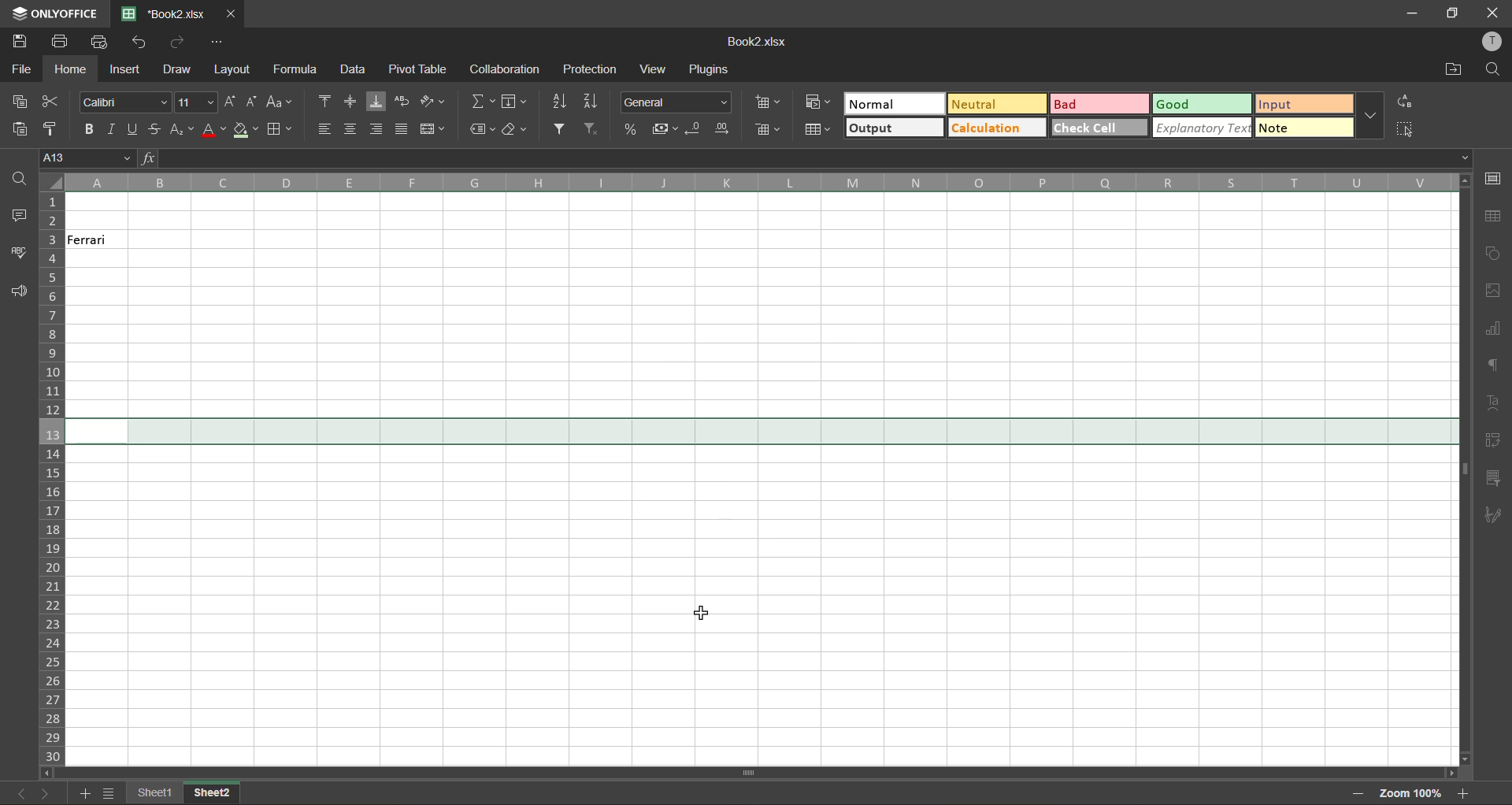 The image size is (1512, 805). I want to click on formula bar, so click(804, 157).